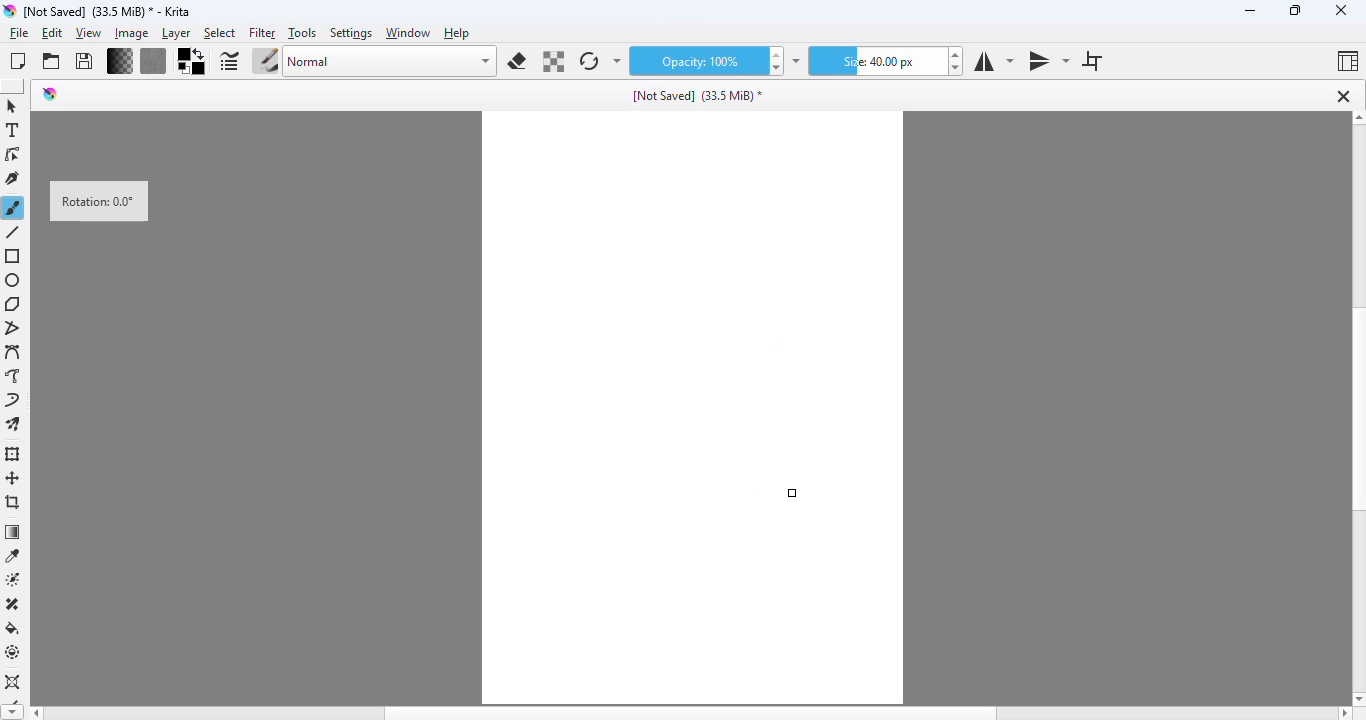 The width and height of the screenshot is (1366, 720). Describe the element at coordinates (193, 61) in the screenshot. I see `background/foreground color selector` at that location.